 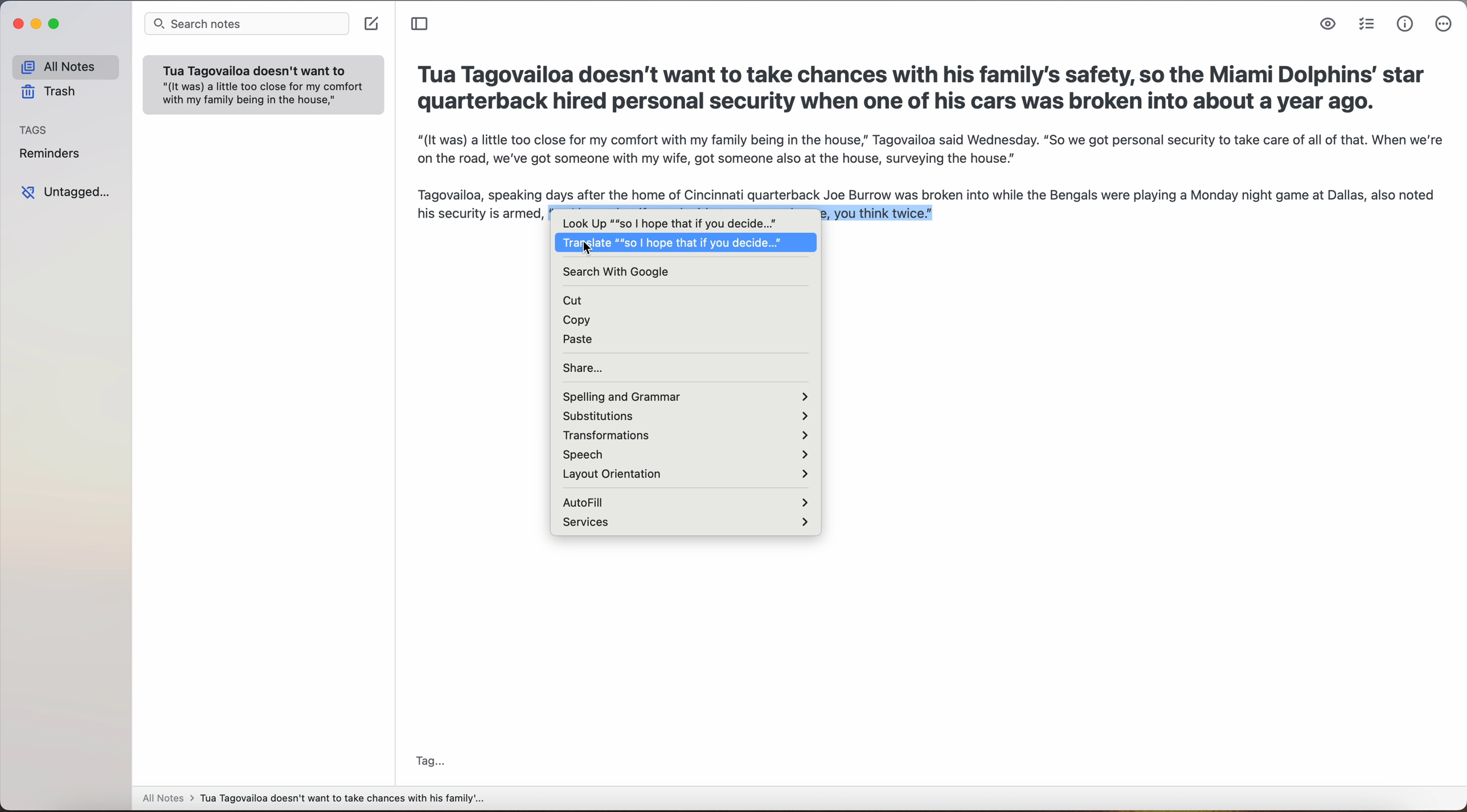 What do you see at coordinates (1329, 25) in the screenshot?
I see `markdown` at bounding box center [1329, 25].